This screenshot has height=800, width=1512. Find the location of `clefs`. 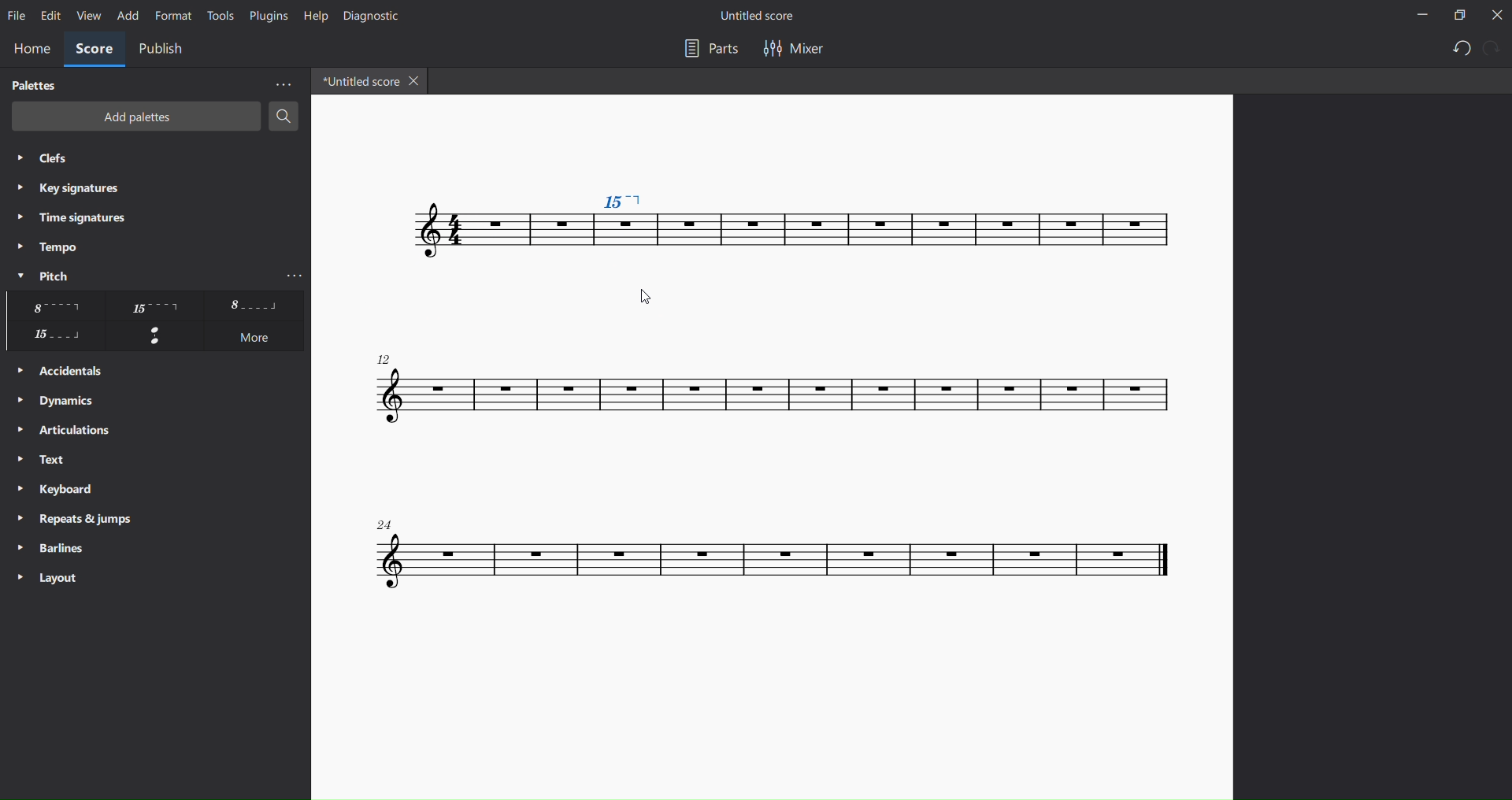

clefs is located at coordinates (47, 160).